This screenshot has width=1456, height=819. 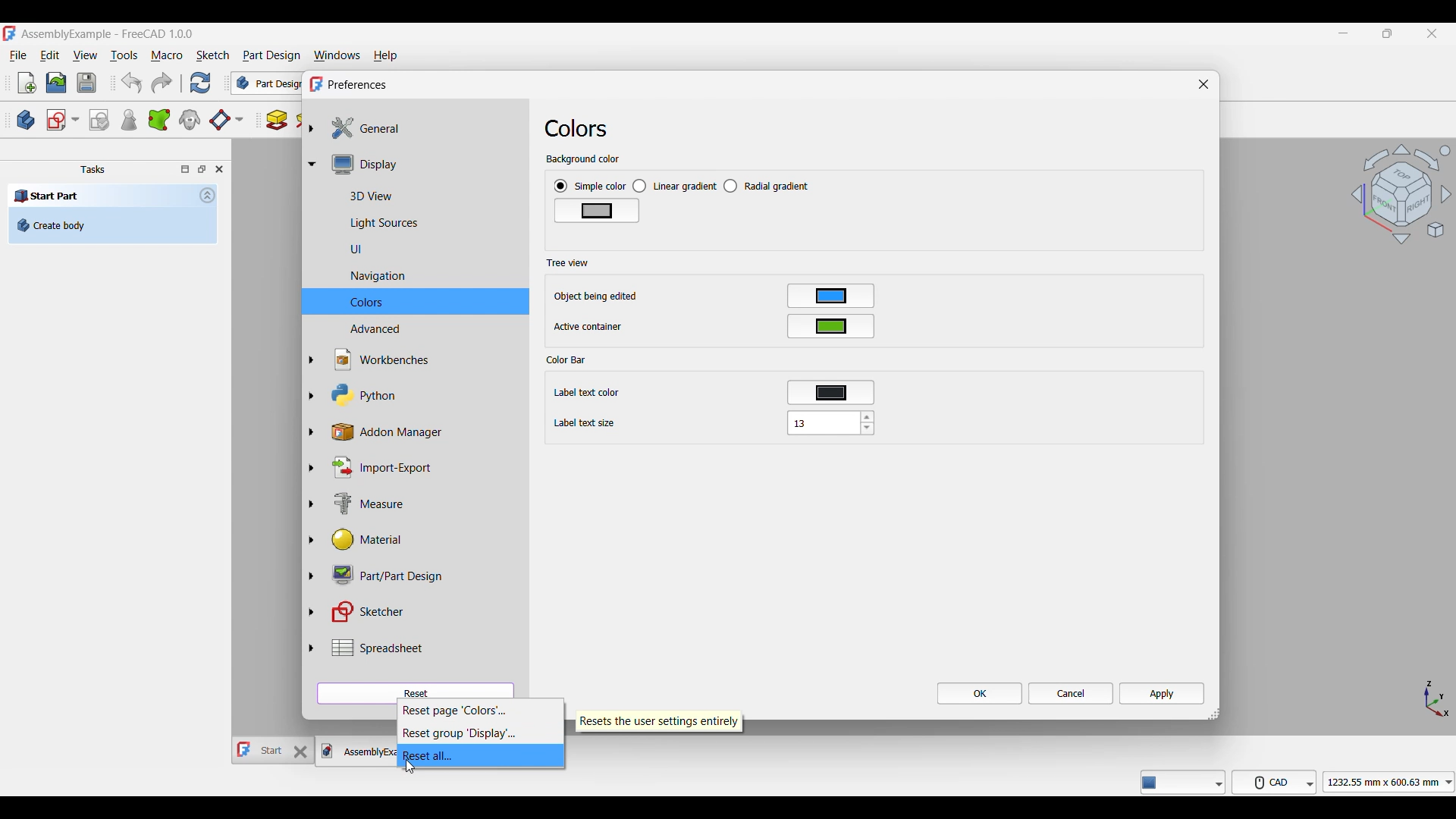 I want to click on Software logo, so click(x=315, y=84).